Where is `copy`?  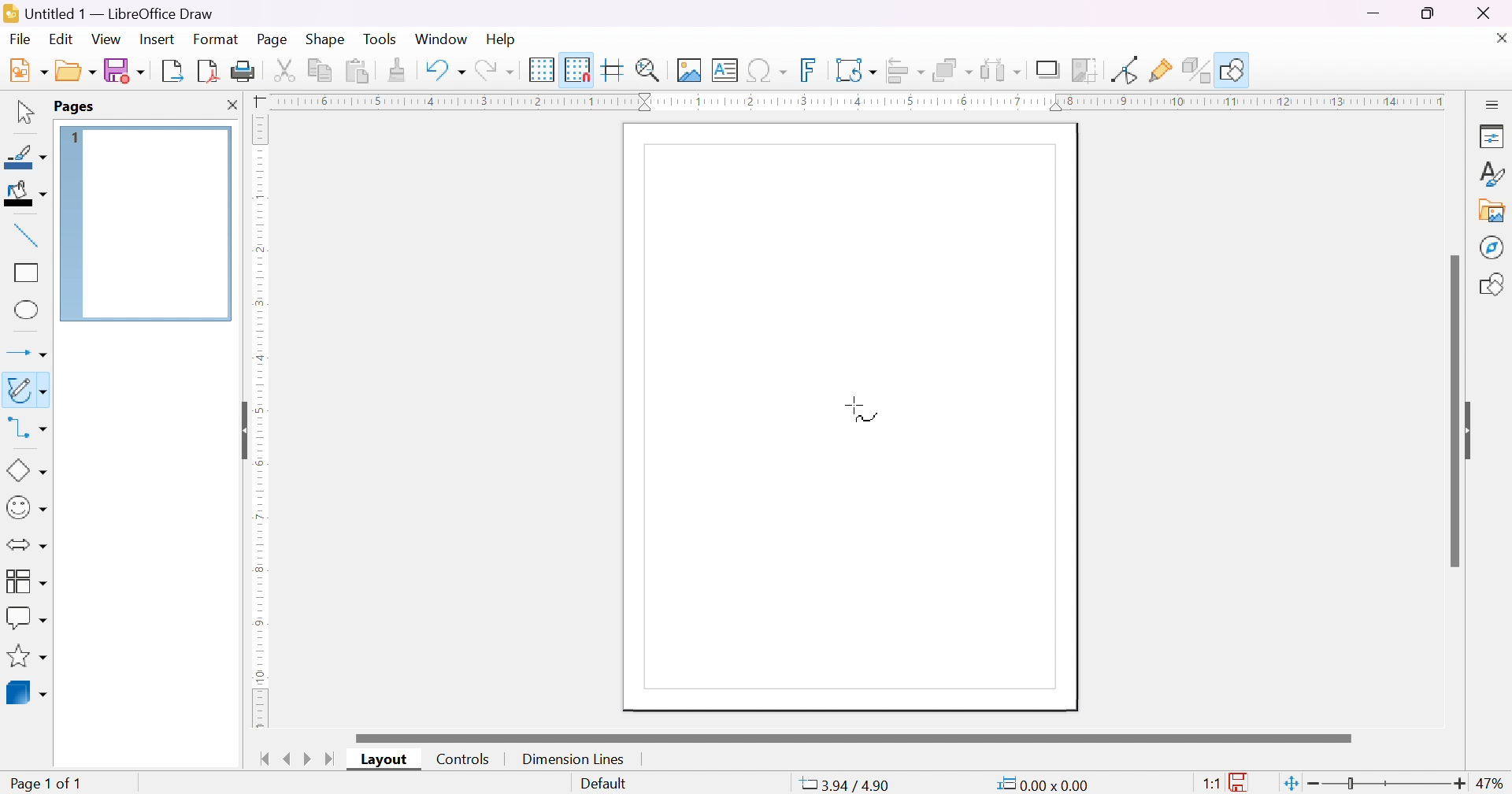 copy is located at coordinates (321, 70).